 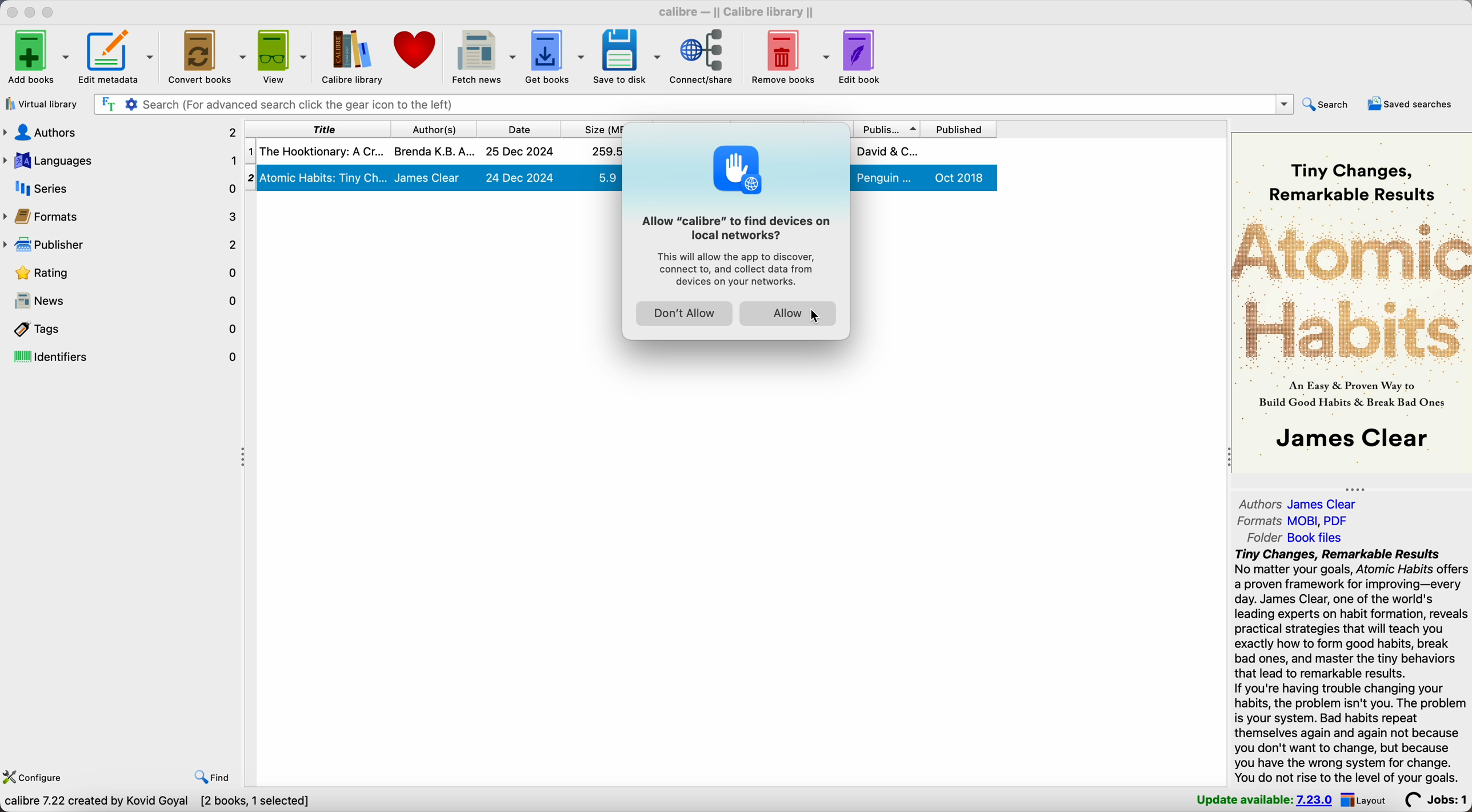 I want to click on published, so click(x=961, y=128).